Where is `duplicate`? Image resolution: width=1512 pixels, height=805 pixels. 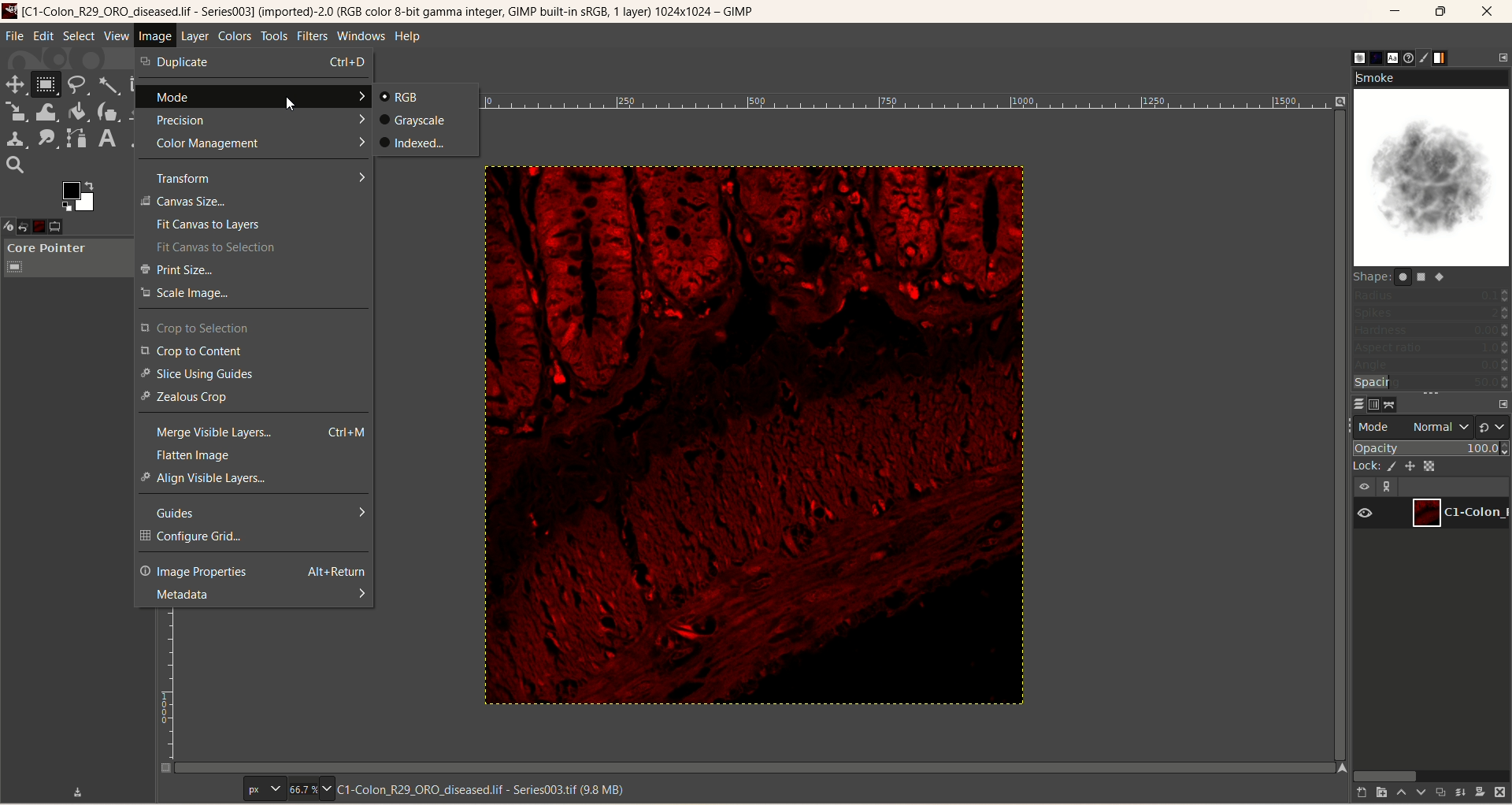
duplicate is located at coordinates (254, 61).